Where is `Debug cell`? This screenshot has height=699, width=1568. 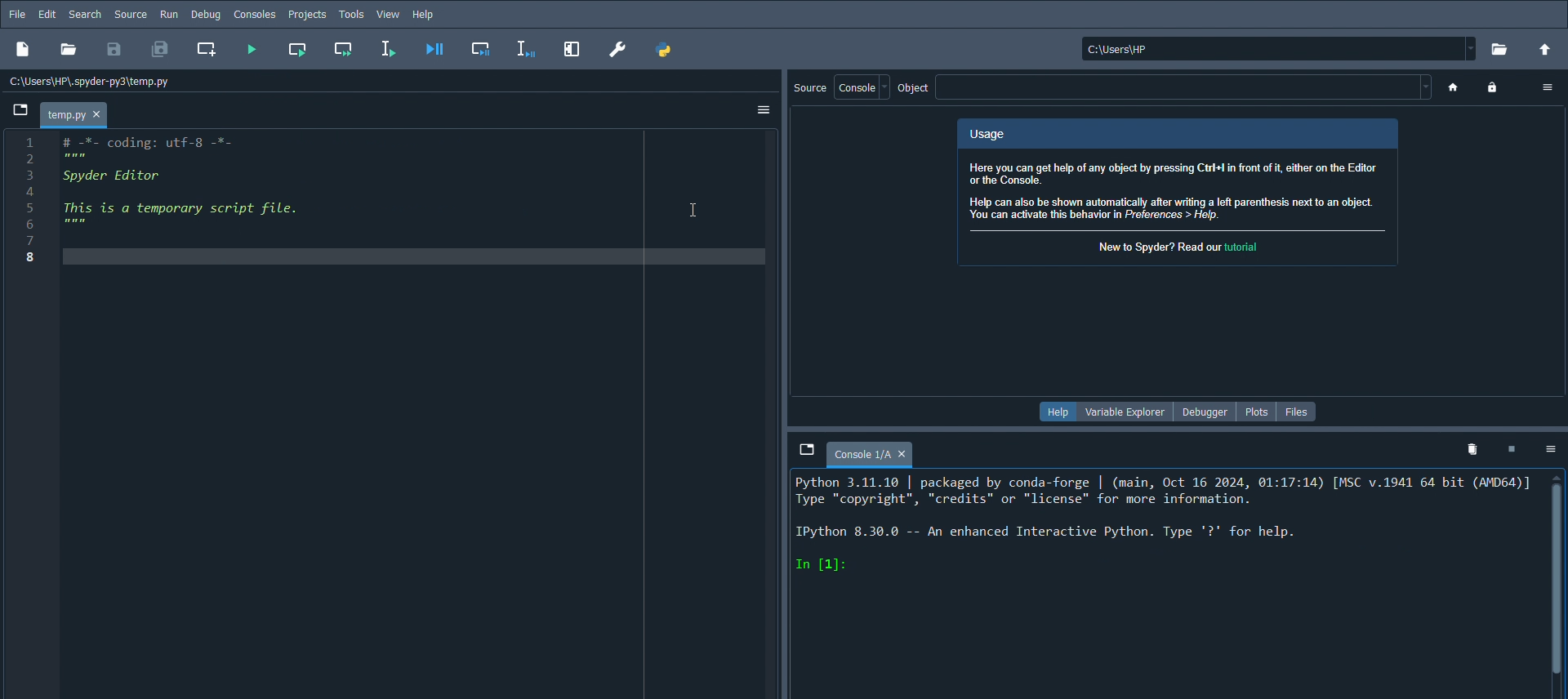
Debug cell is located at coordinates (482, 50).